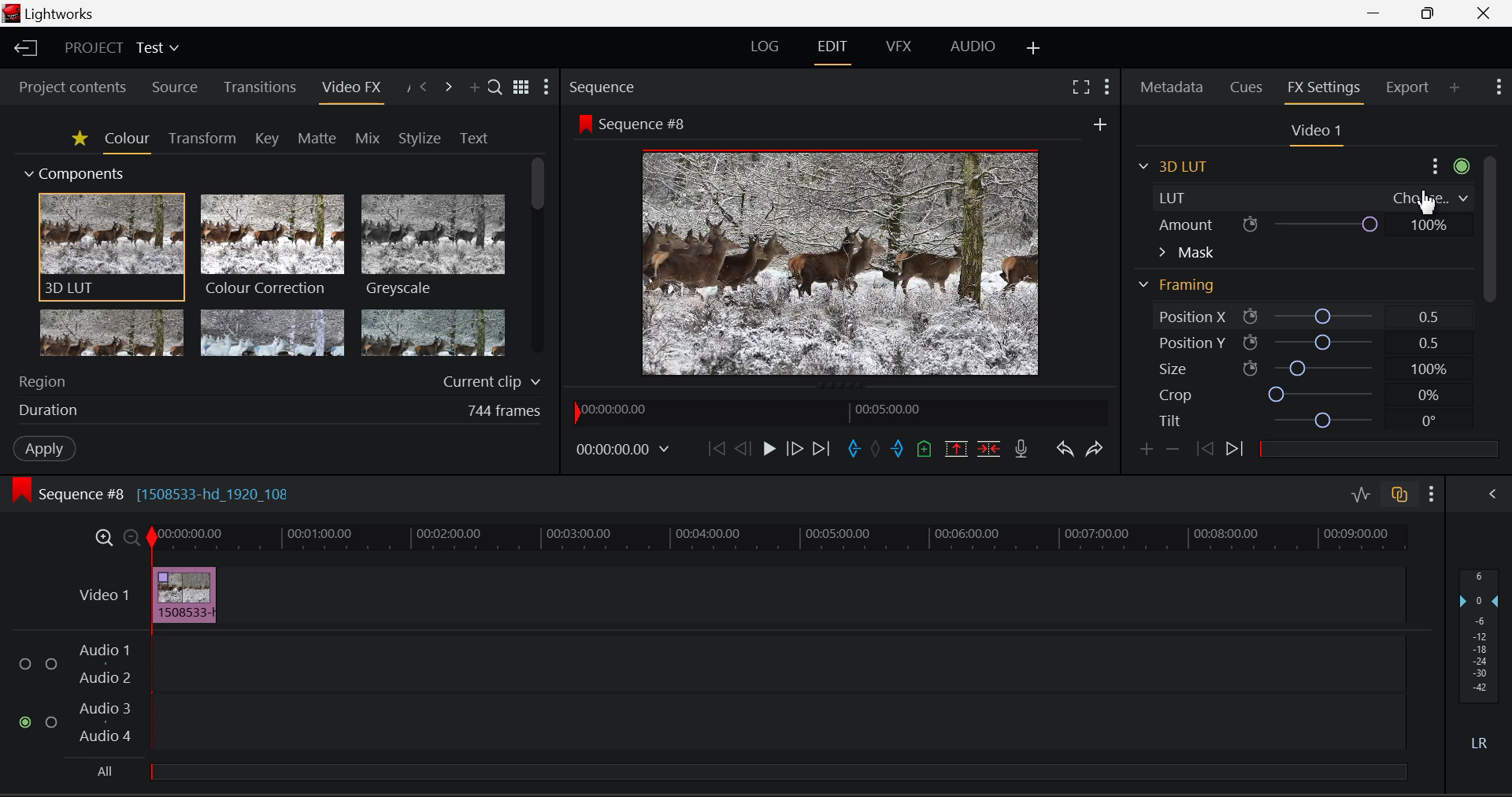 This screenshot has height=797, width=1512. Describe the element at coordinates (472, 139) in the screenshot. I see `Text` at that location.